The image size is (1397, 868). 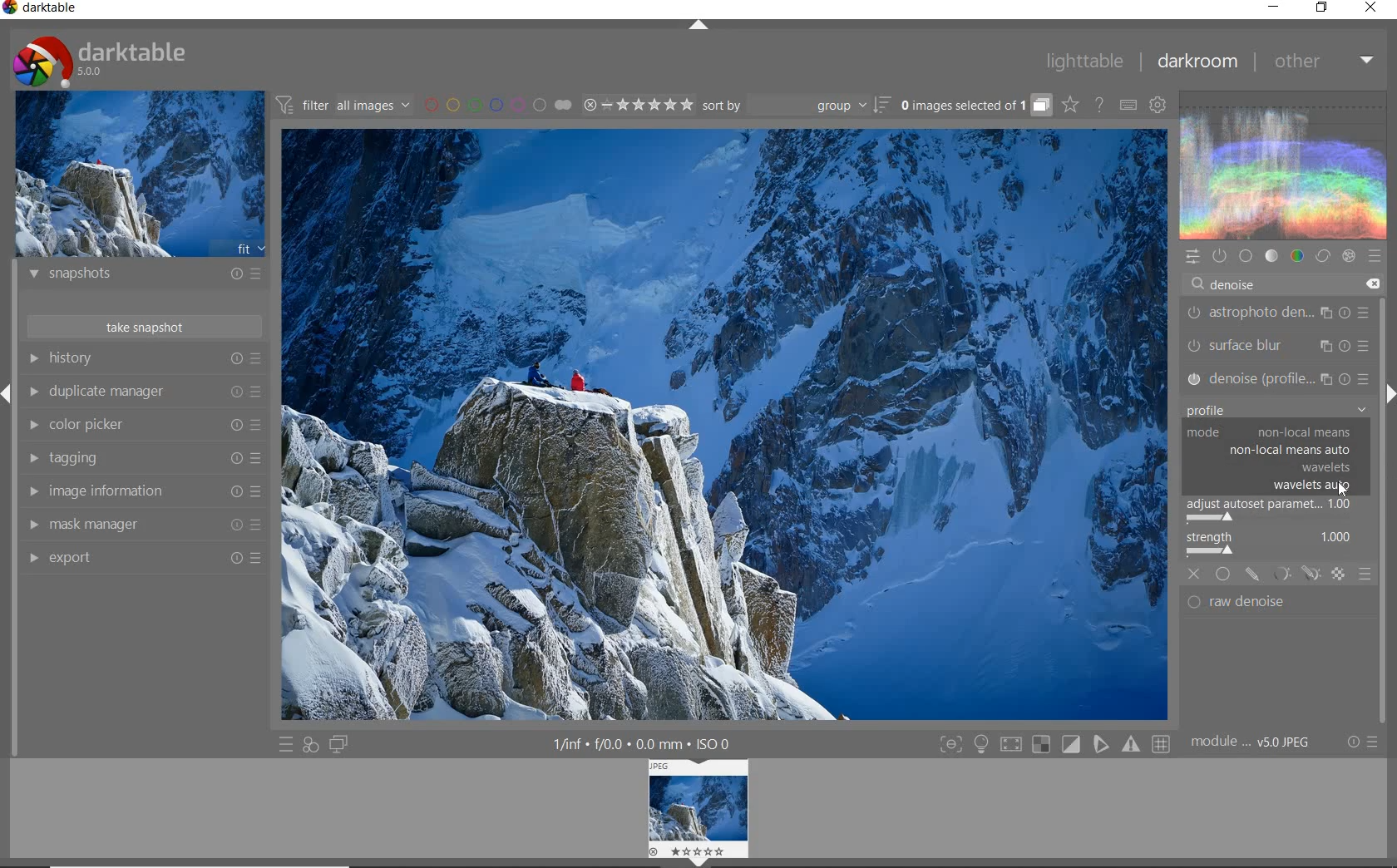 What do you see at coordinates (1101, 106) in the screenshot?
I see `enable online help` at bounding box center [1101, 106].